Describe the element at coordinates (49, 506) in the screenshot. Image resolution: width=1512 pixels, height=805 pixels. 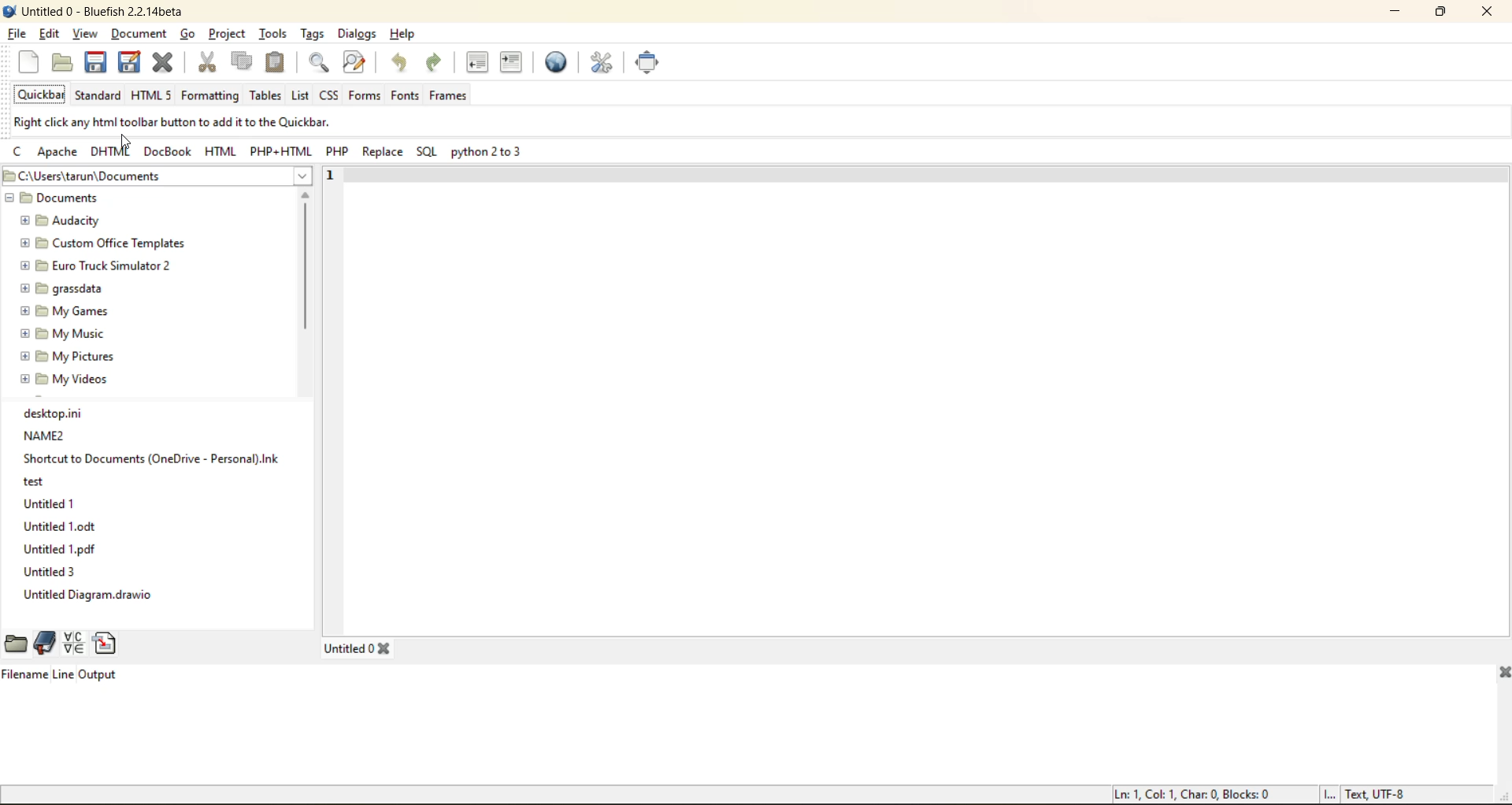
I see `Untitled 1` at that location.